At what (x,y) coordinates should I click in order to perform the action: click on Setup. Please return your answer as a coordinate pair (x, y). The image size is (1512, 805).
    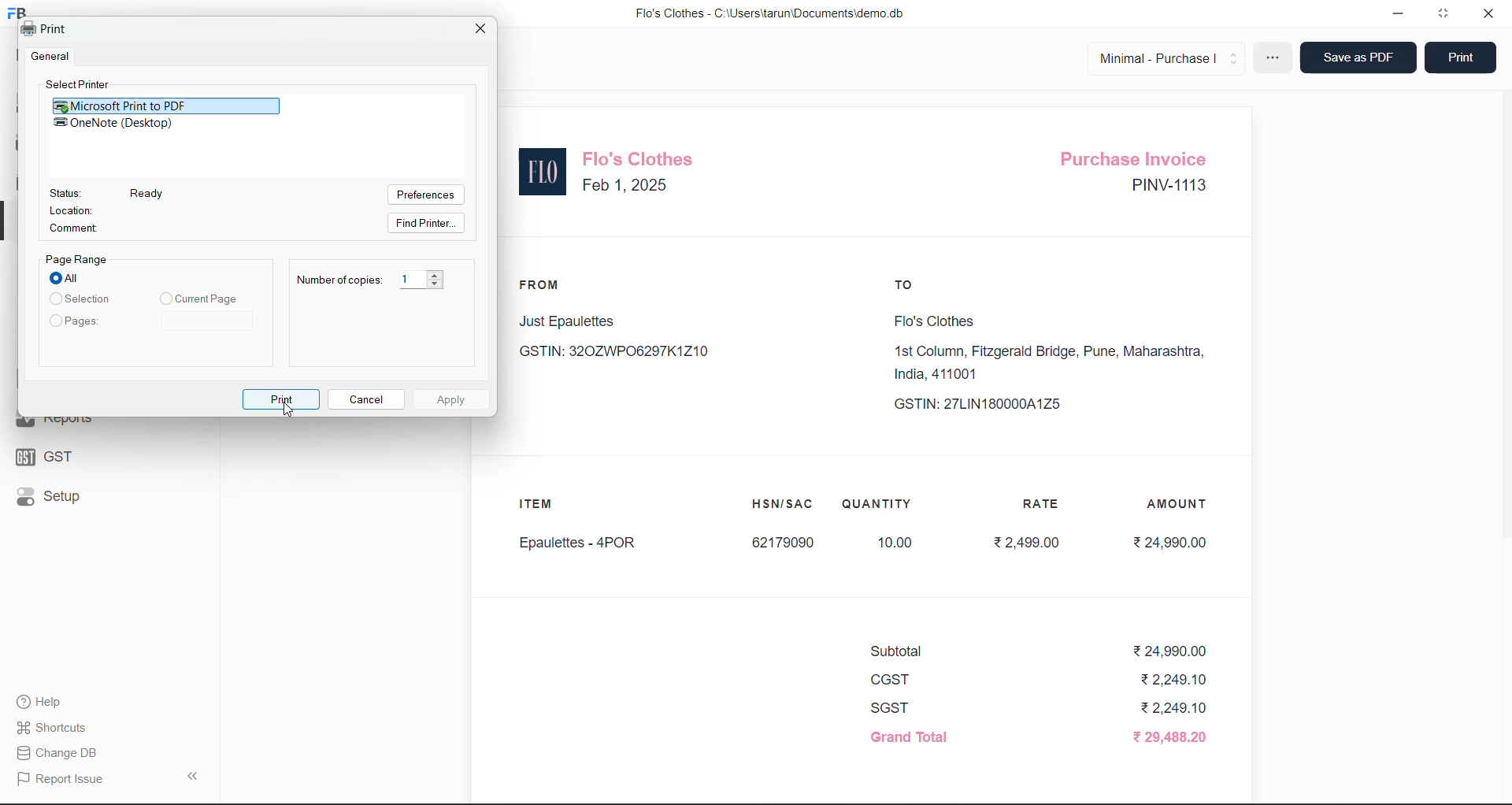
    Looking at the image, I should click on (57, 498).